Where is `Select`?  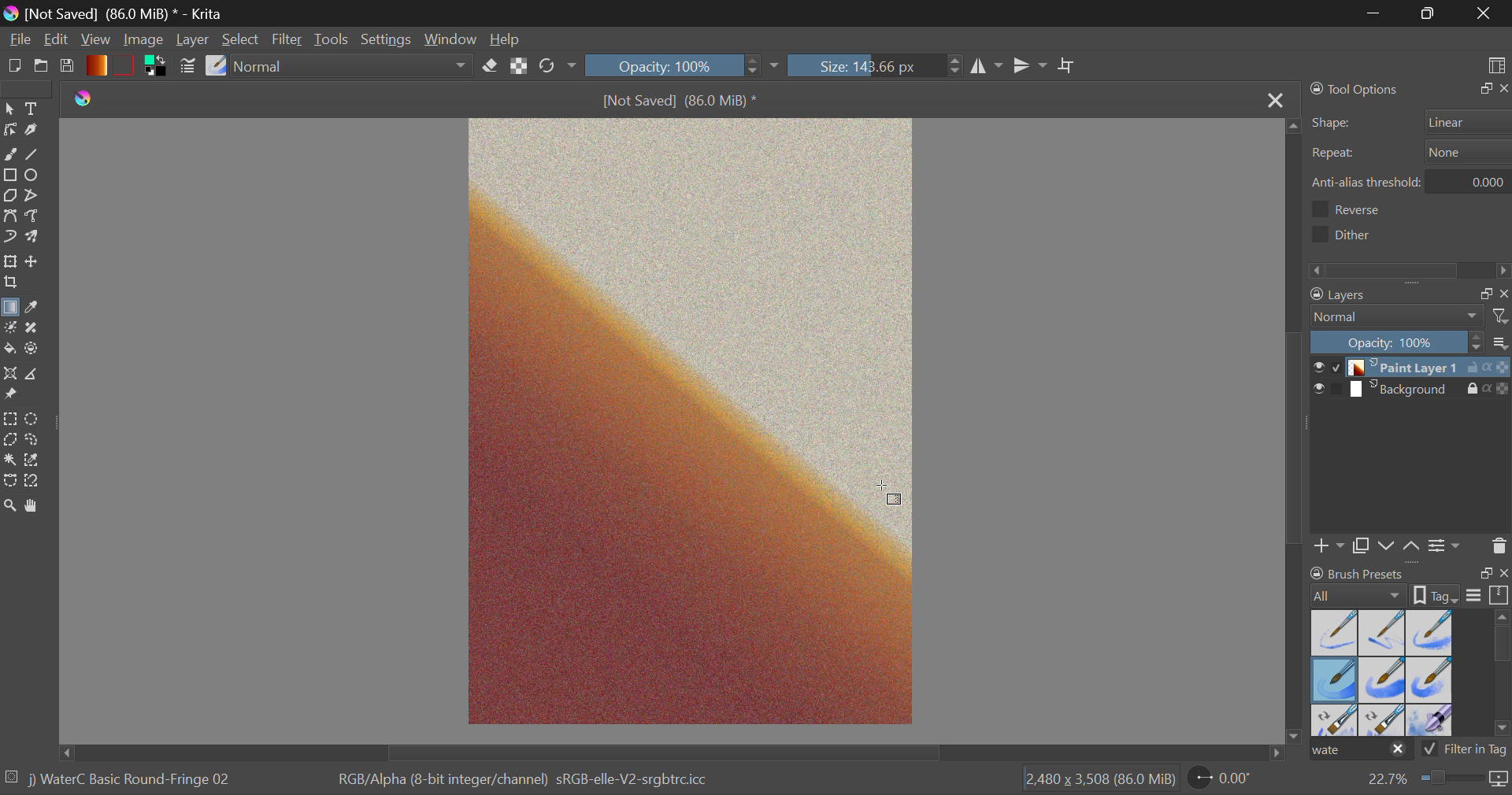
Select is located at coordinates (240, 38).